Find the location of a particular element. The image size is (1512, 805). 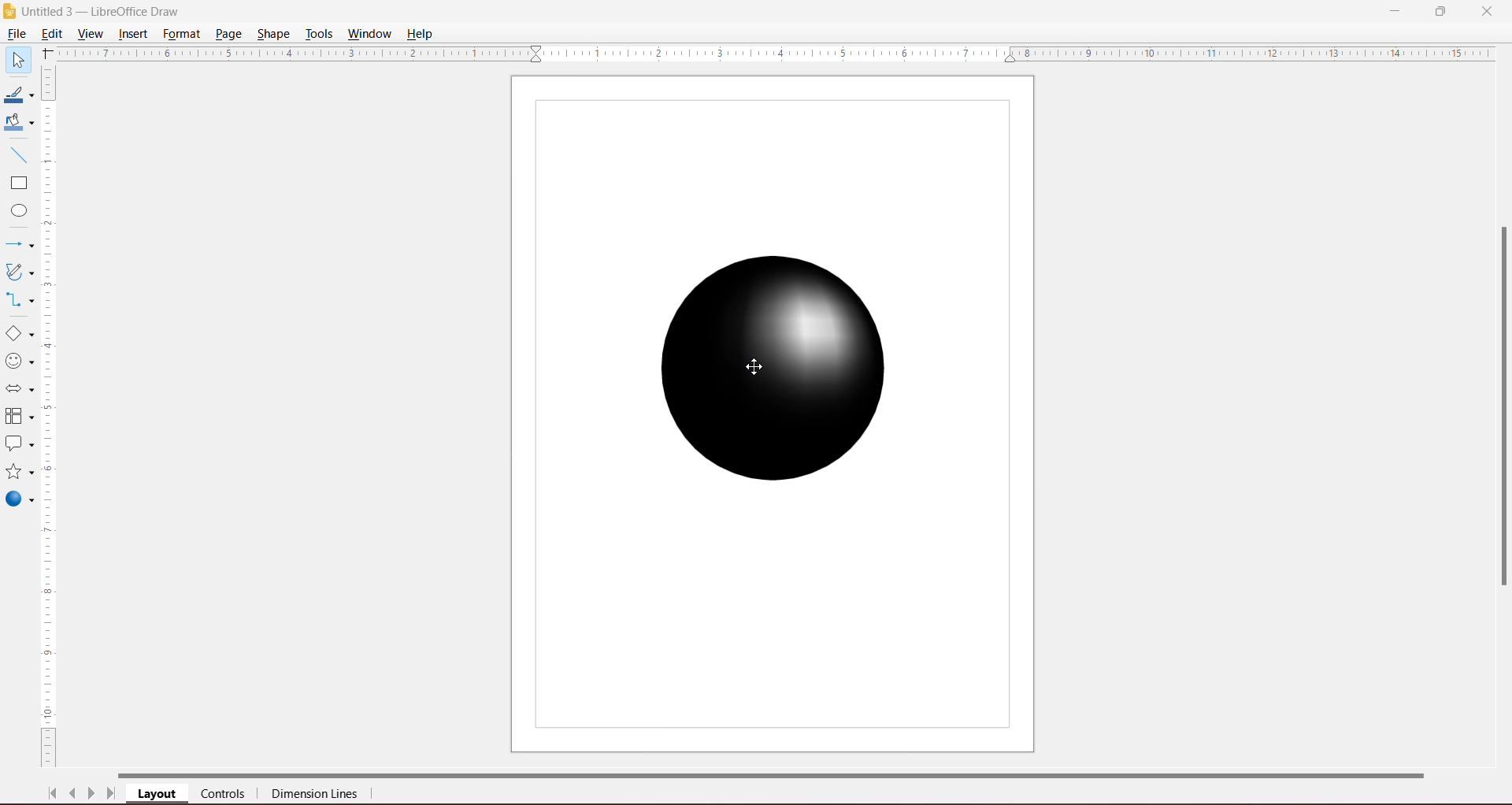

Shape is located at coordinates (275, 32).